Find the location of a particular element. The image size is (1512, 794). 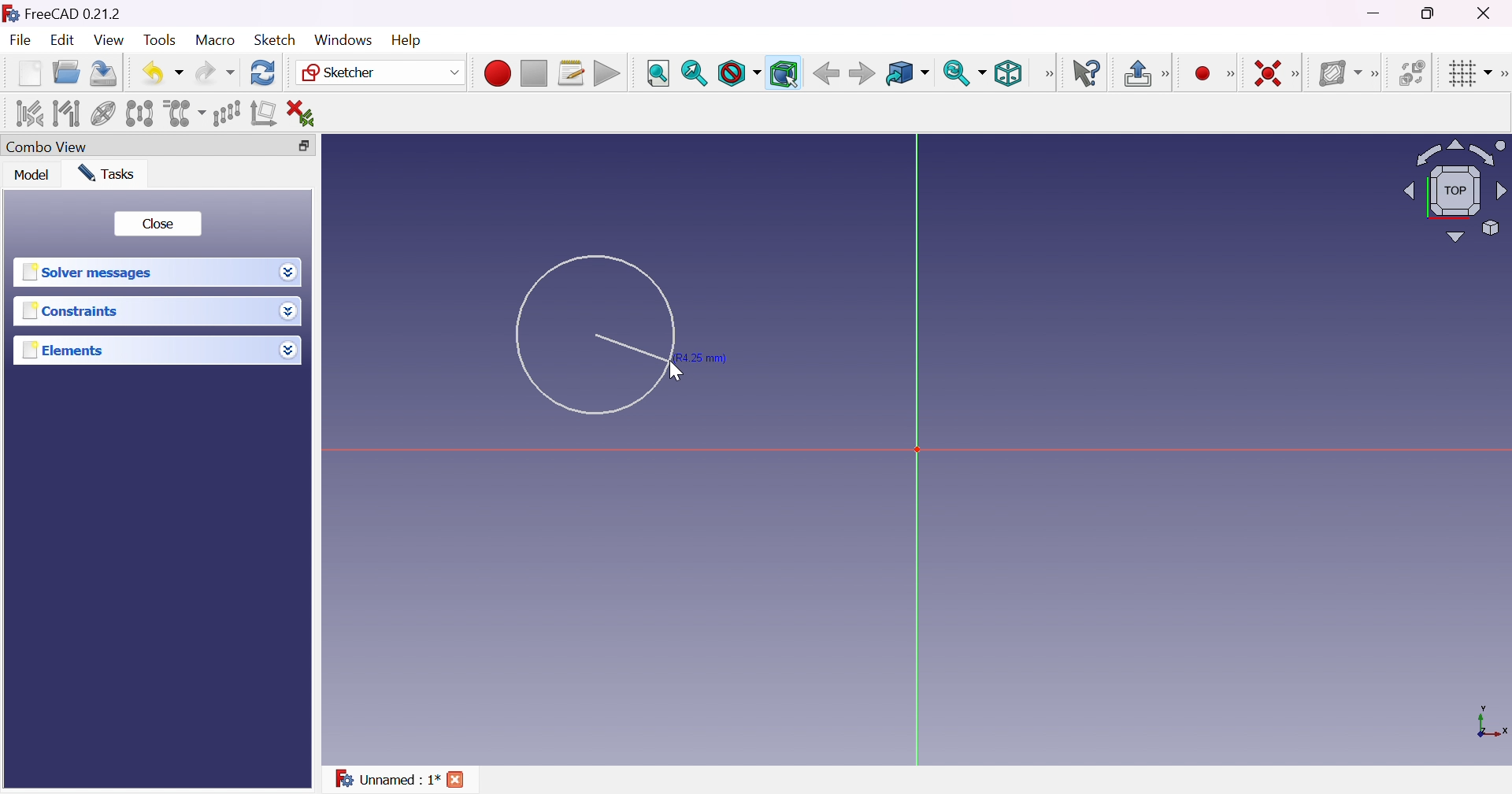

Constrain conincident is located at coordinates (1269, 75).